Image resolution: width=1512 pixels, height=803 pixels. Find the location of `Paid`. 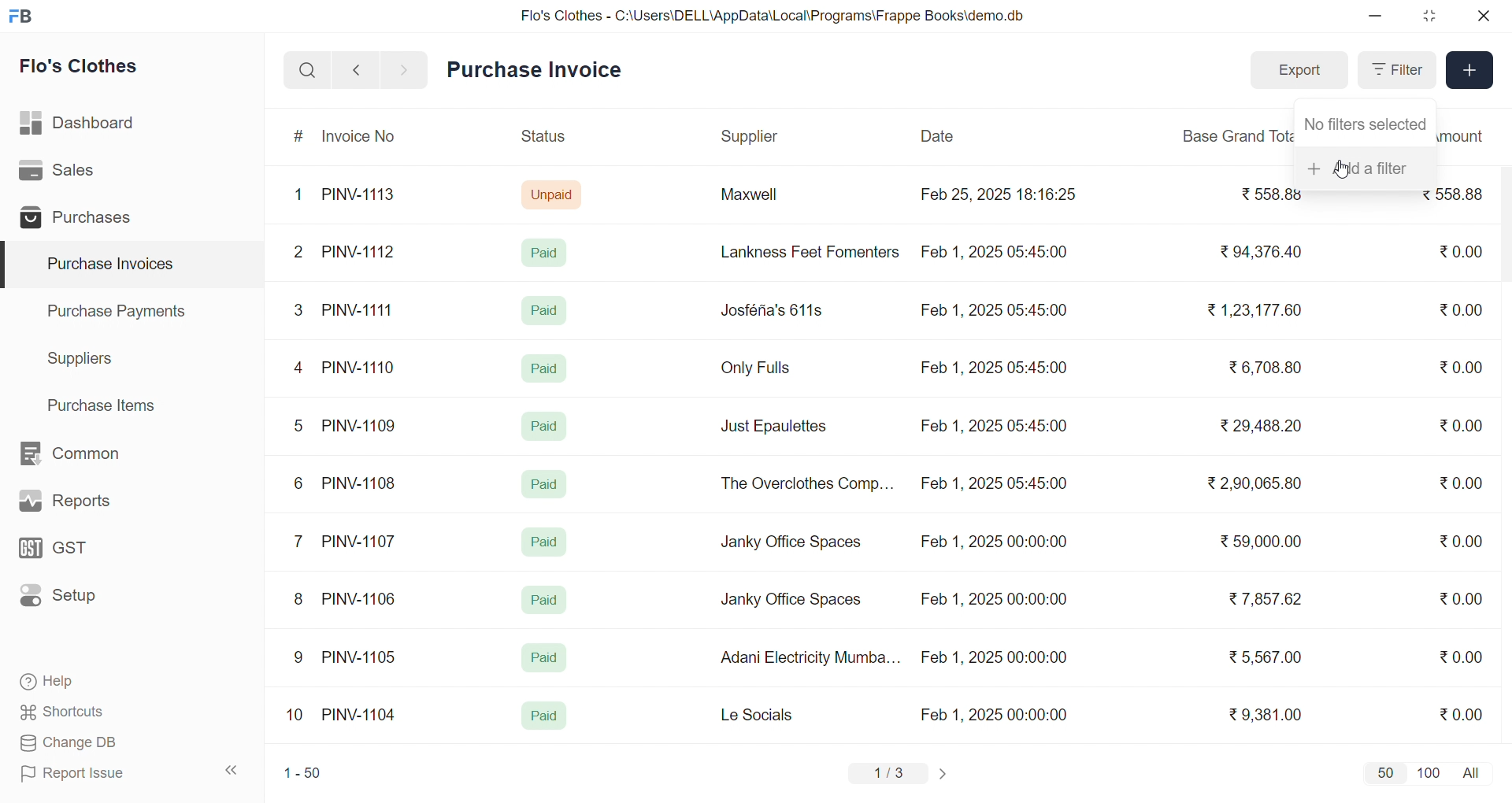

Paid is located at coordinates (545, 600).